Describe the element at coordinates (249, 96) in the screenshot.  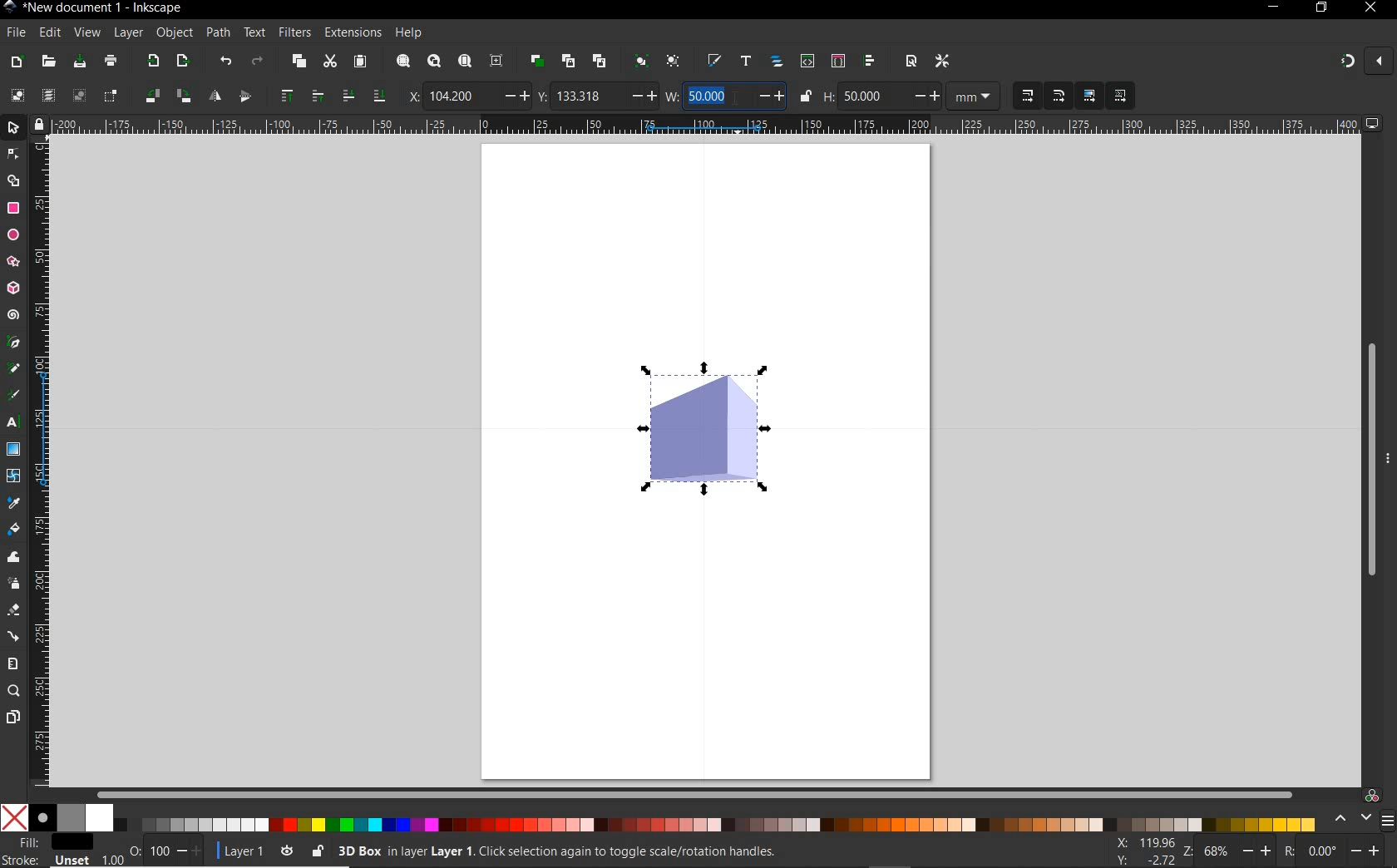
I see `object flip` at that location.